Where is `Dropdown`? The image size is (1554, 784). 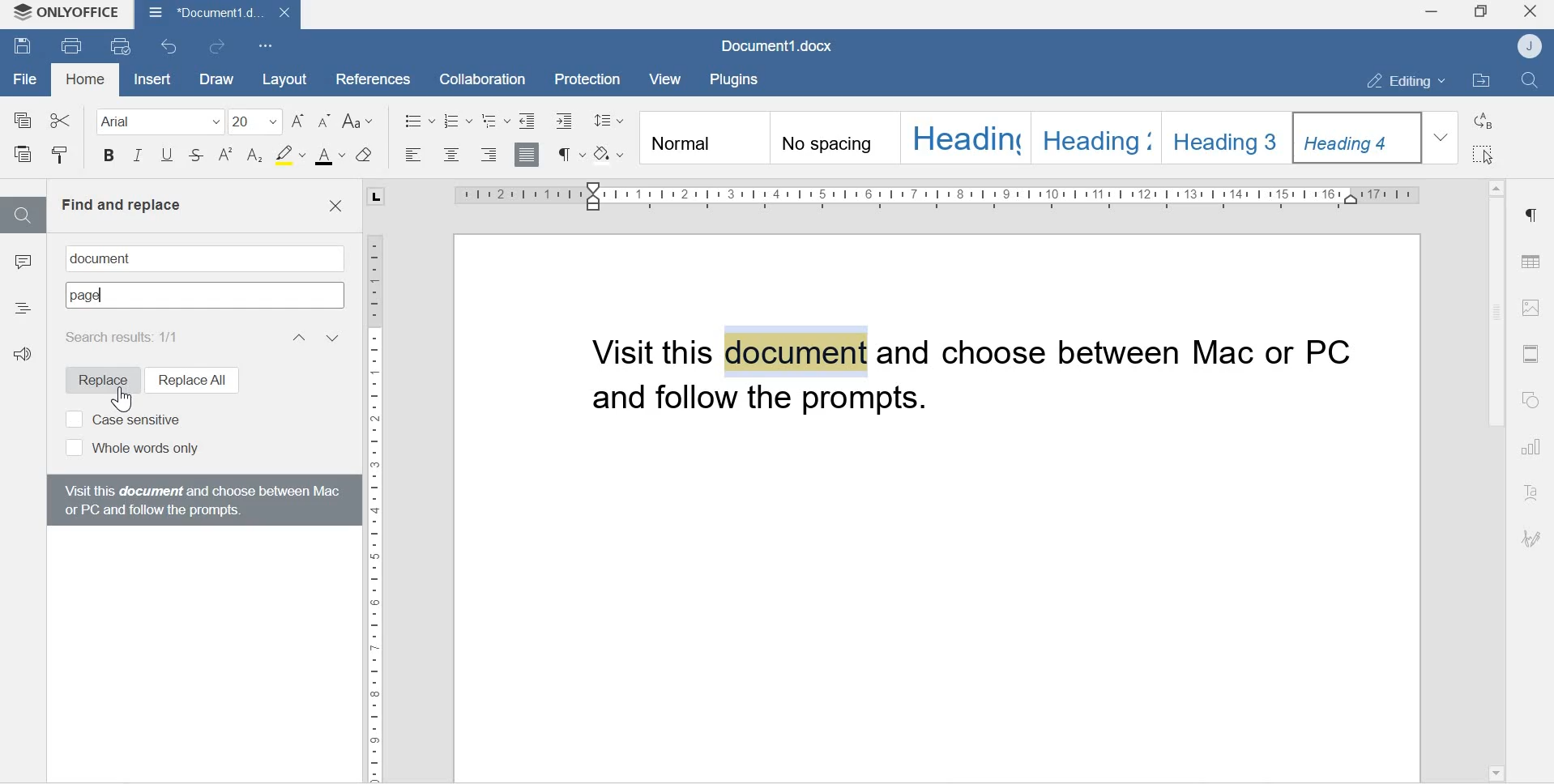
Dropdown is located at coordinates (1443, 137).